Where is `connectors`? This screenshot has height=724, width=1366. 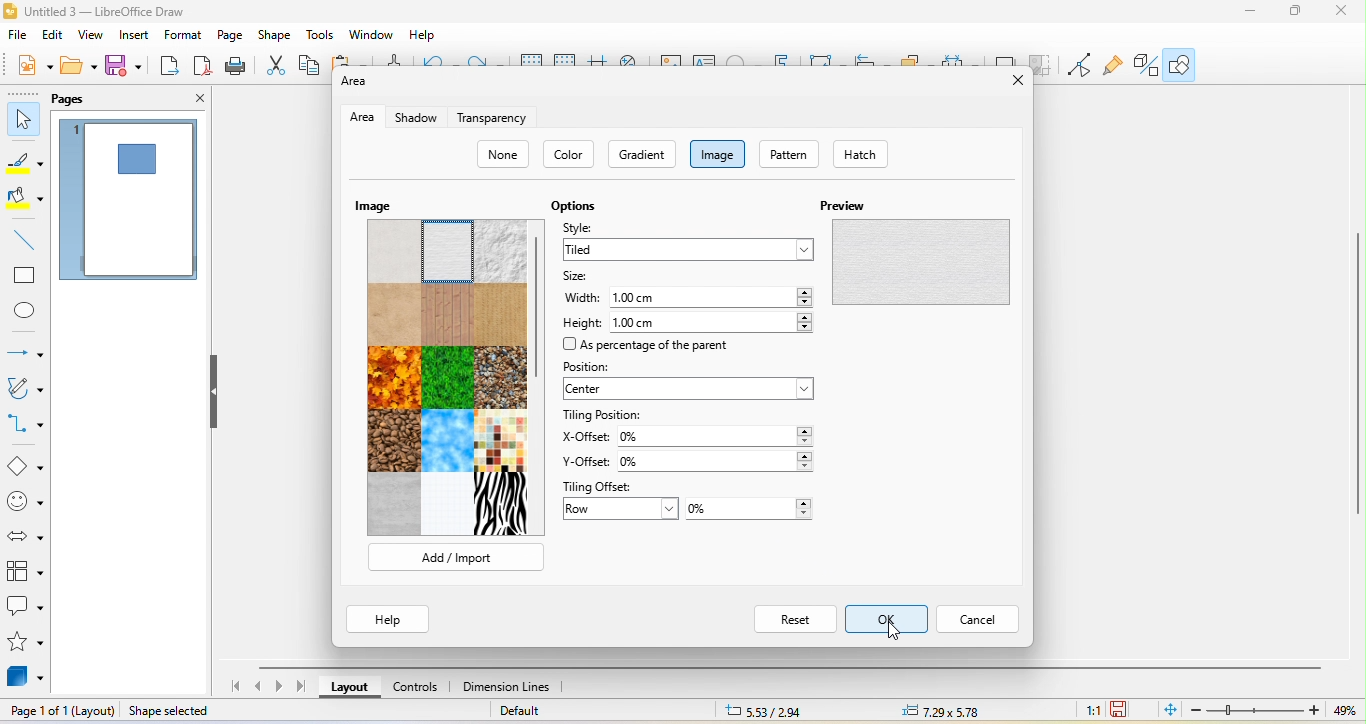
connectors is located at coordinates (26, 424).